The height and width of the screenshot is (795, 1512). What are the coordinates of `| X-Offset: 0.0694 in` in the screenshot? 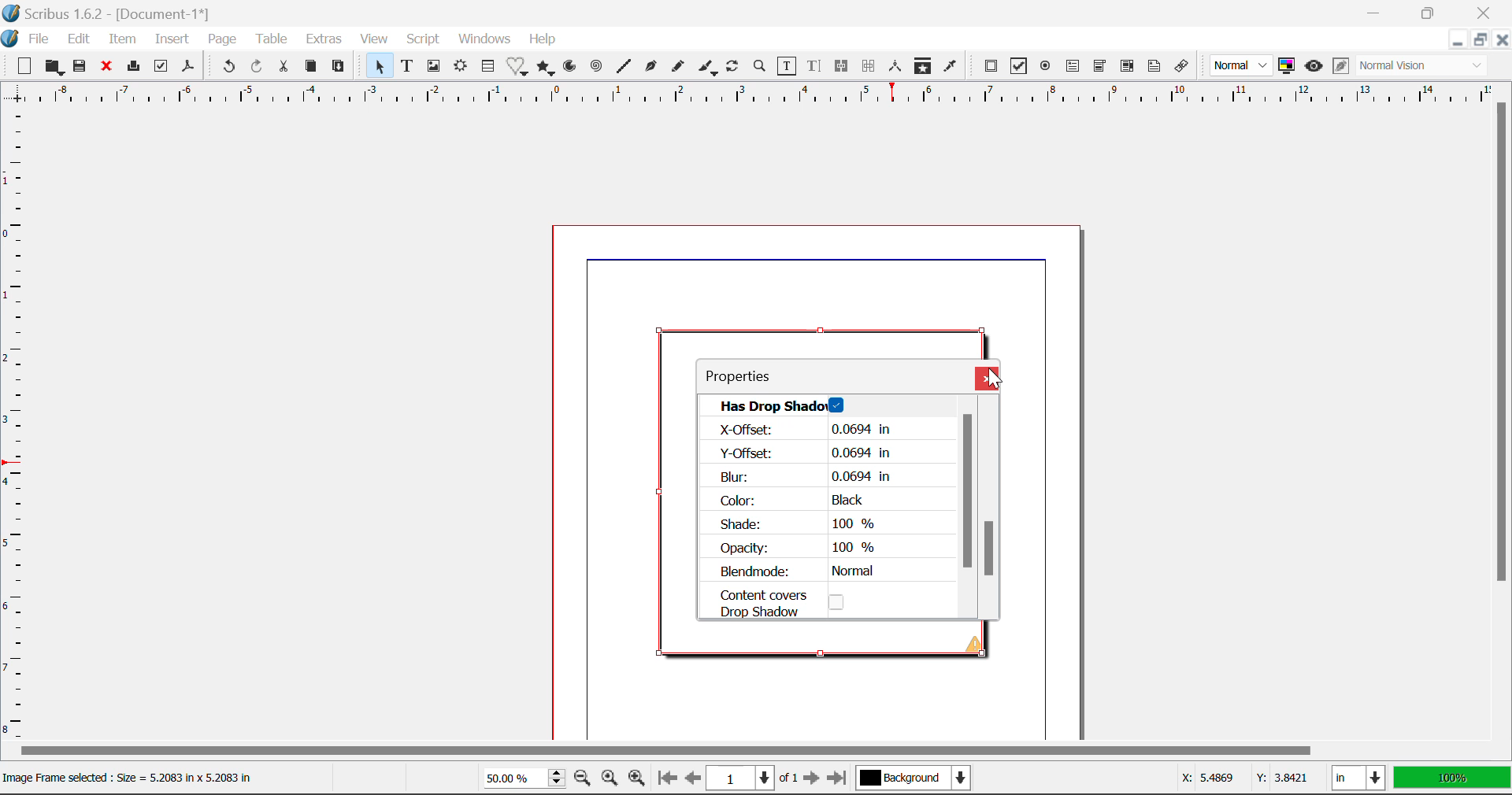 It's located at (802, 430).